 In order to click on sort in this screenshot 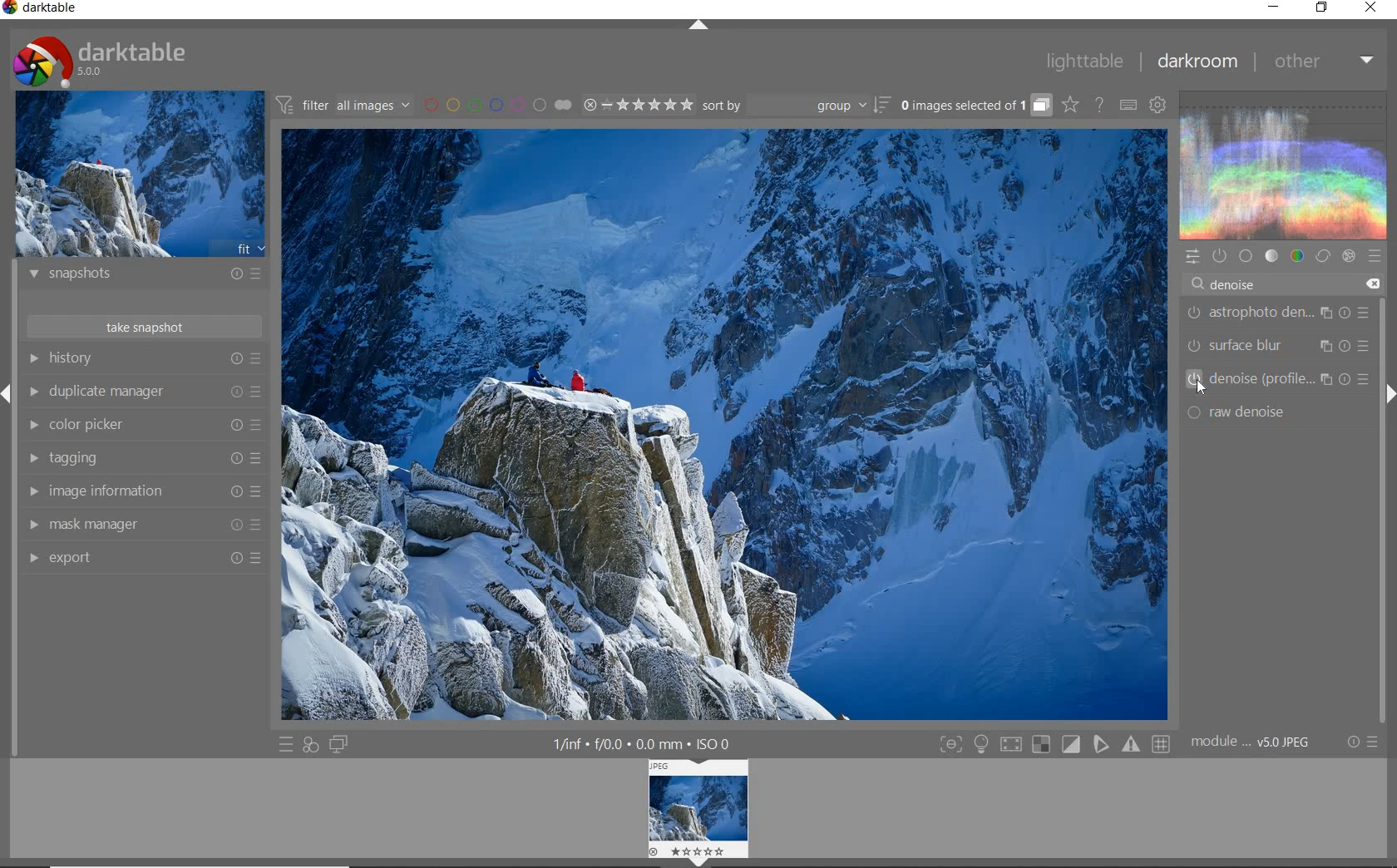, I will do `click(796, 106)`.